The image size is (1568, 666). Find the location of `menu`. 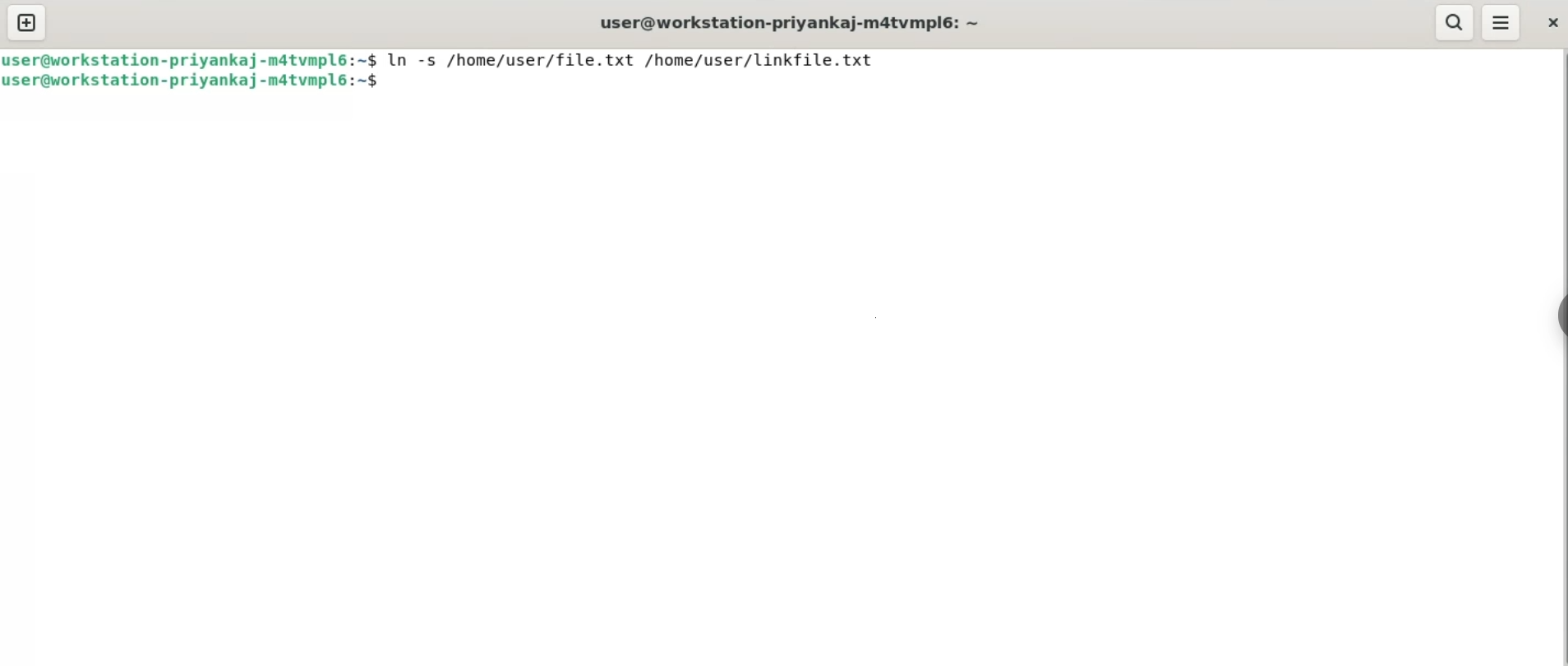

menu is located at coordinates (1502, 21).